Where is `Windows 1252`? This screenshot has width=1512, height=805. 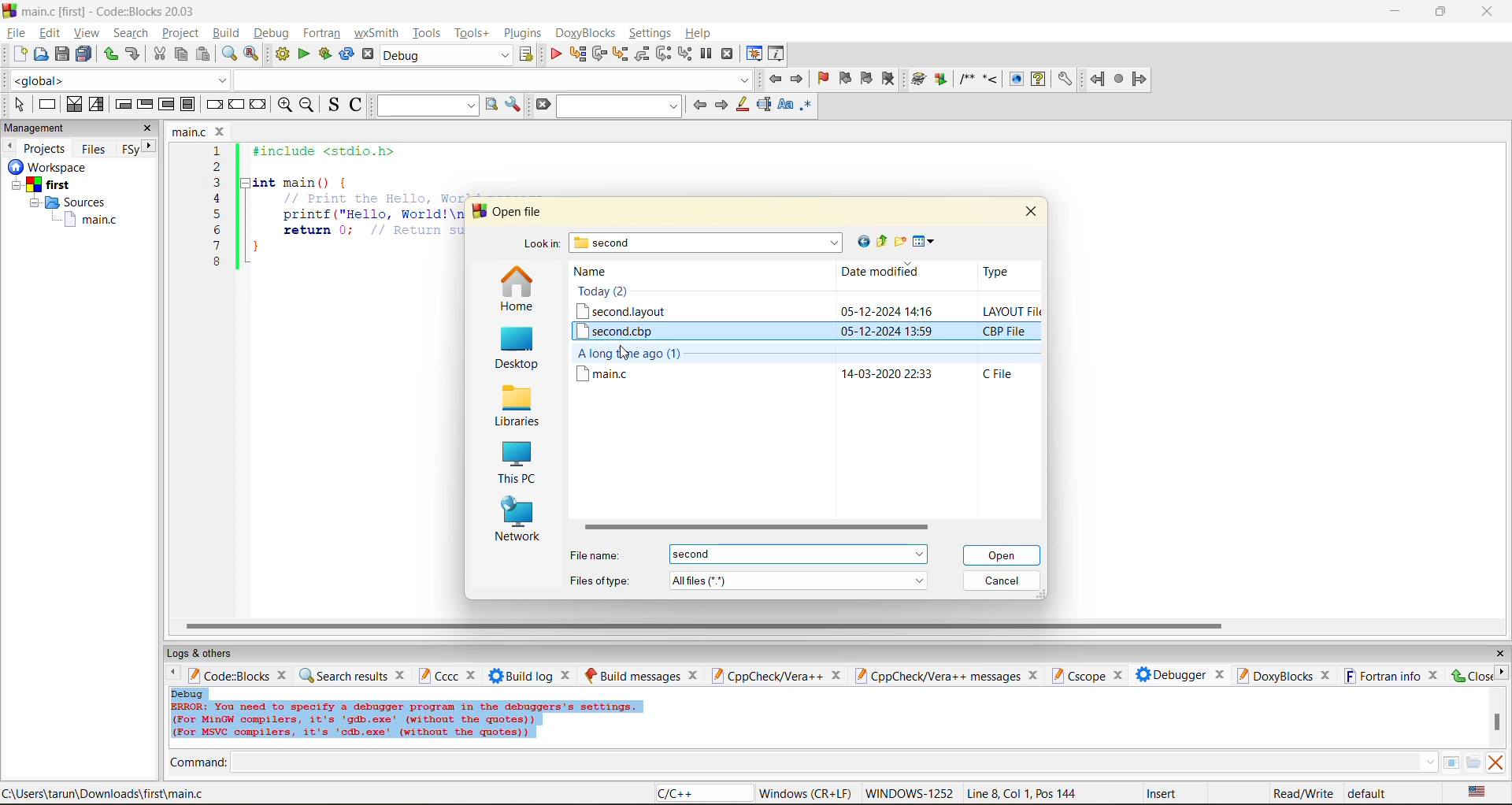
Windows 1252 is located at coordinates (910, 794).